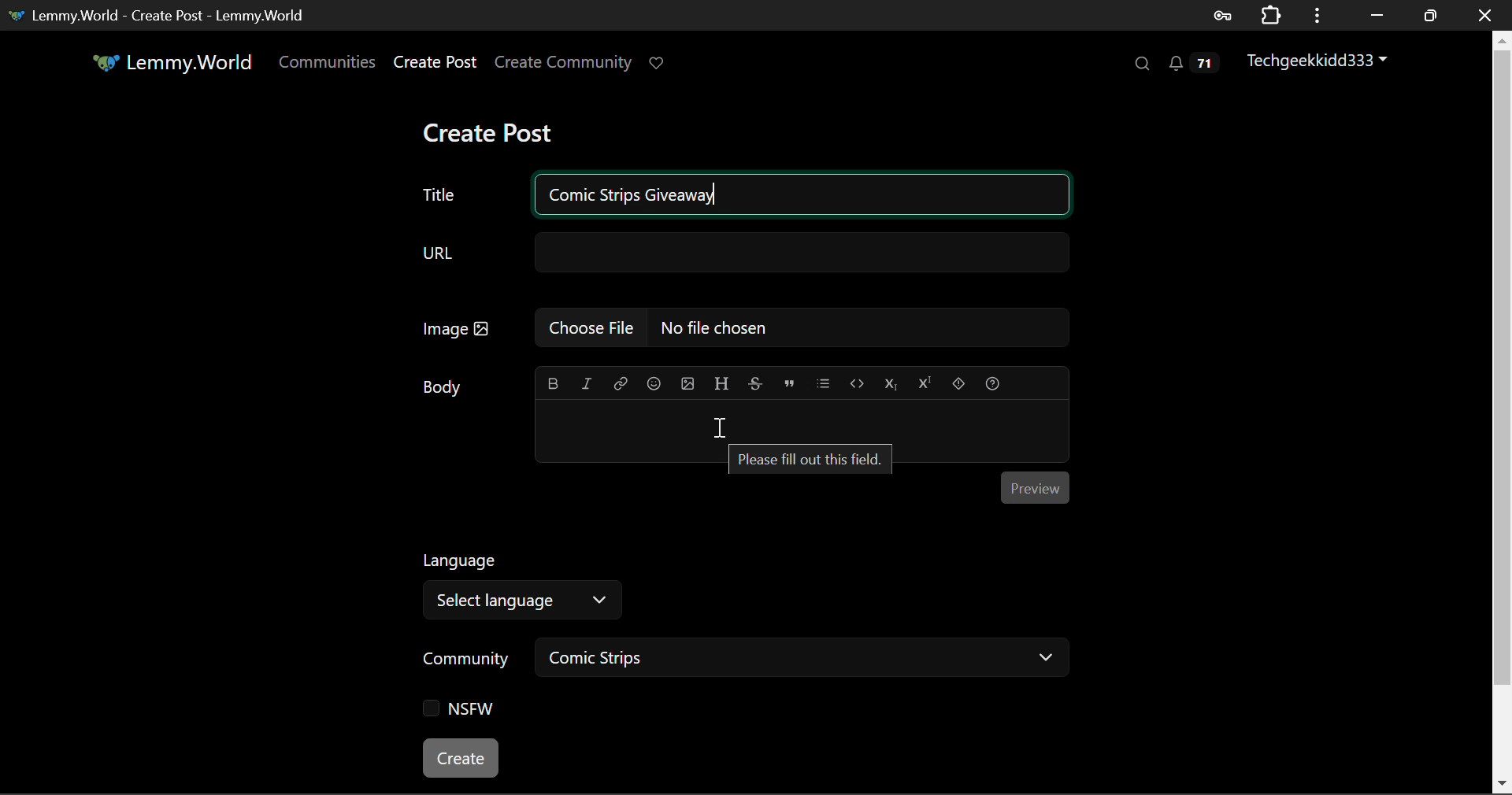  I want to click on Communities, so click(329, 65).